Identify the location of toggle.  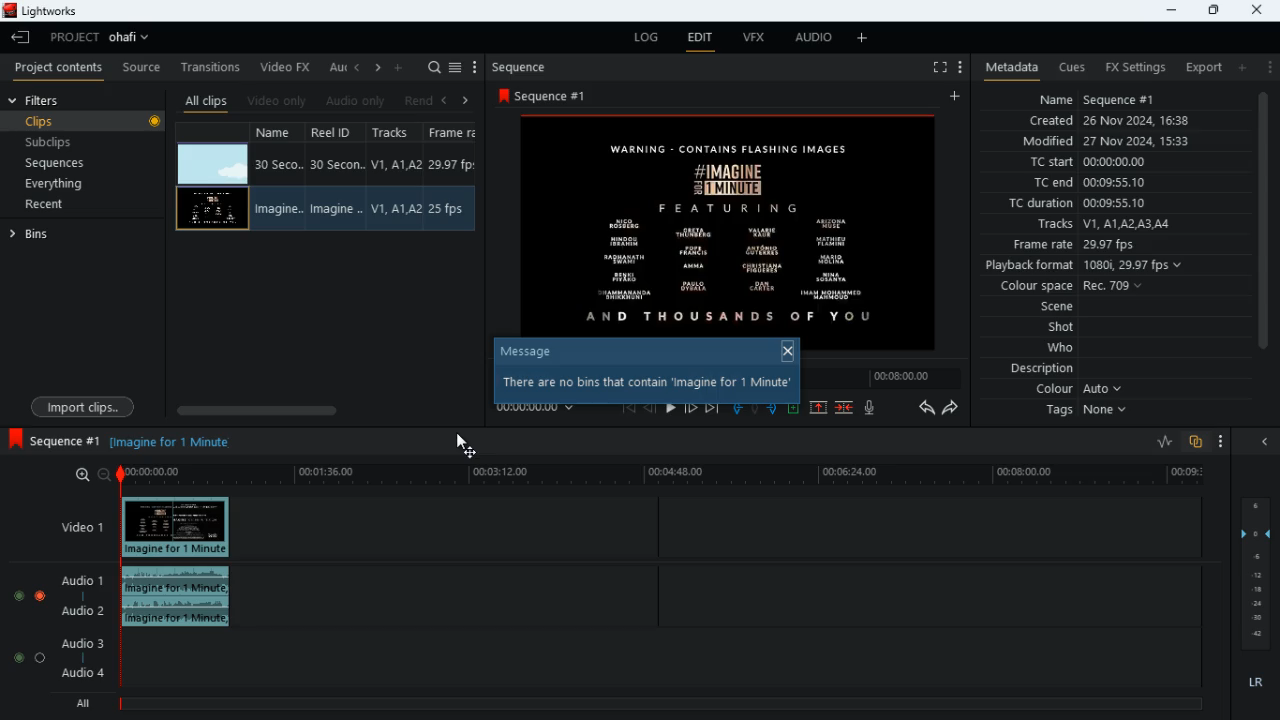
(41, 596).